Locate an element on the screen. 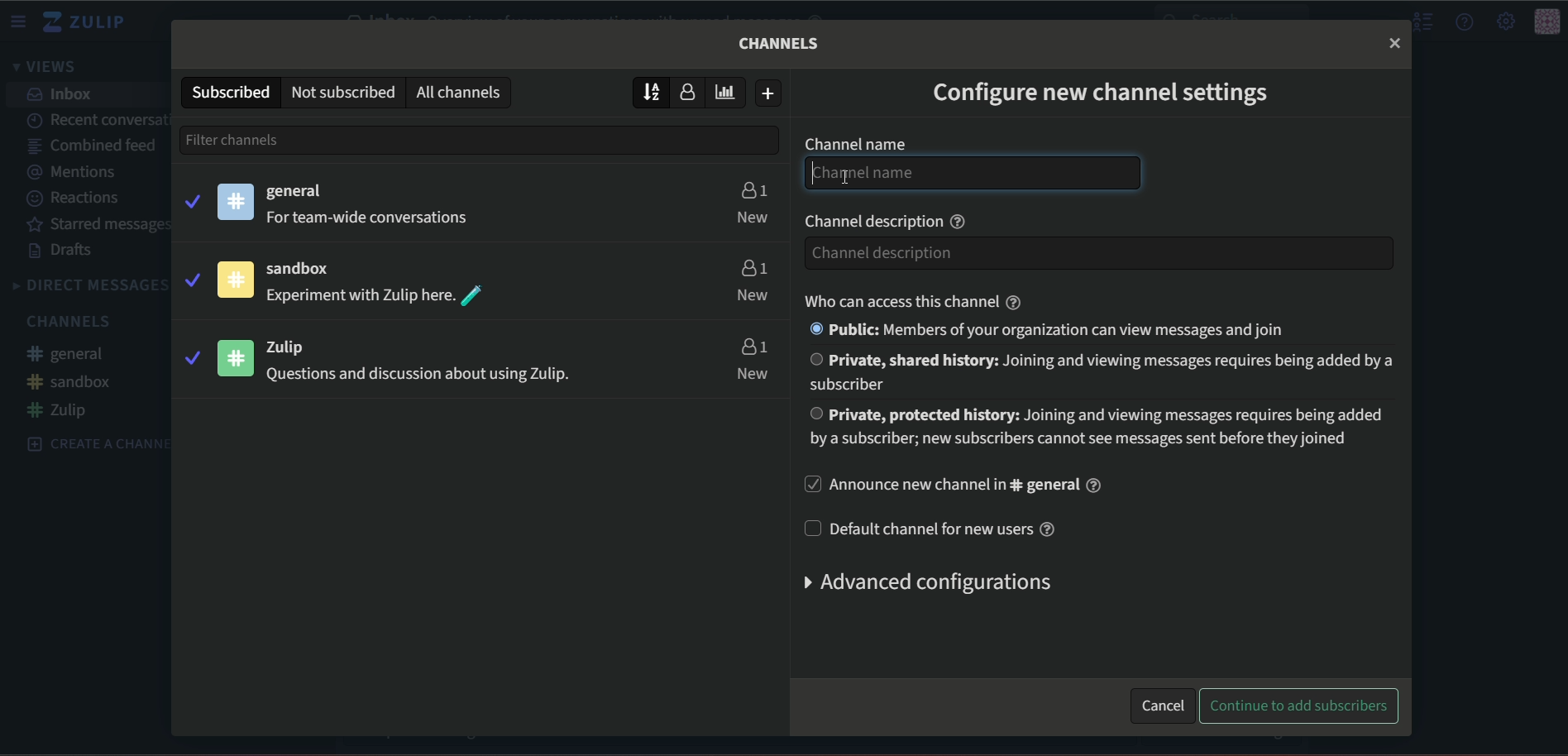 The image size is (1568, 756). Channels is located at coordinates (73, 321).